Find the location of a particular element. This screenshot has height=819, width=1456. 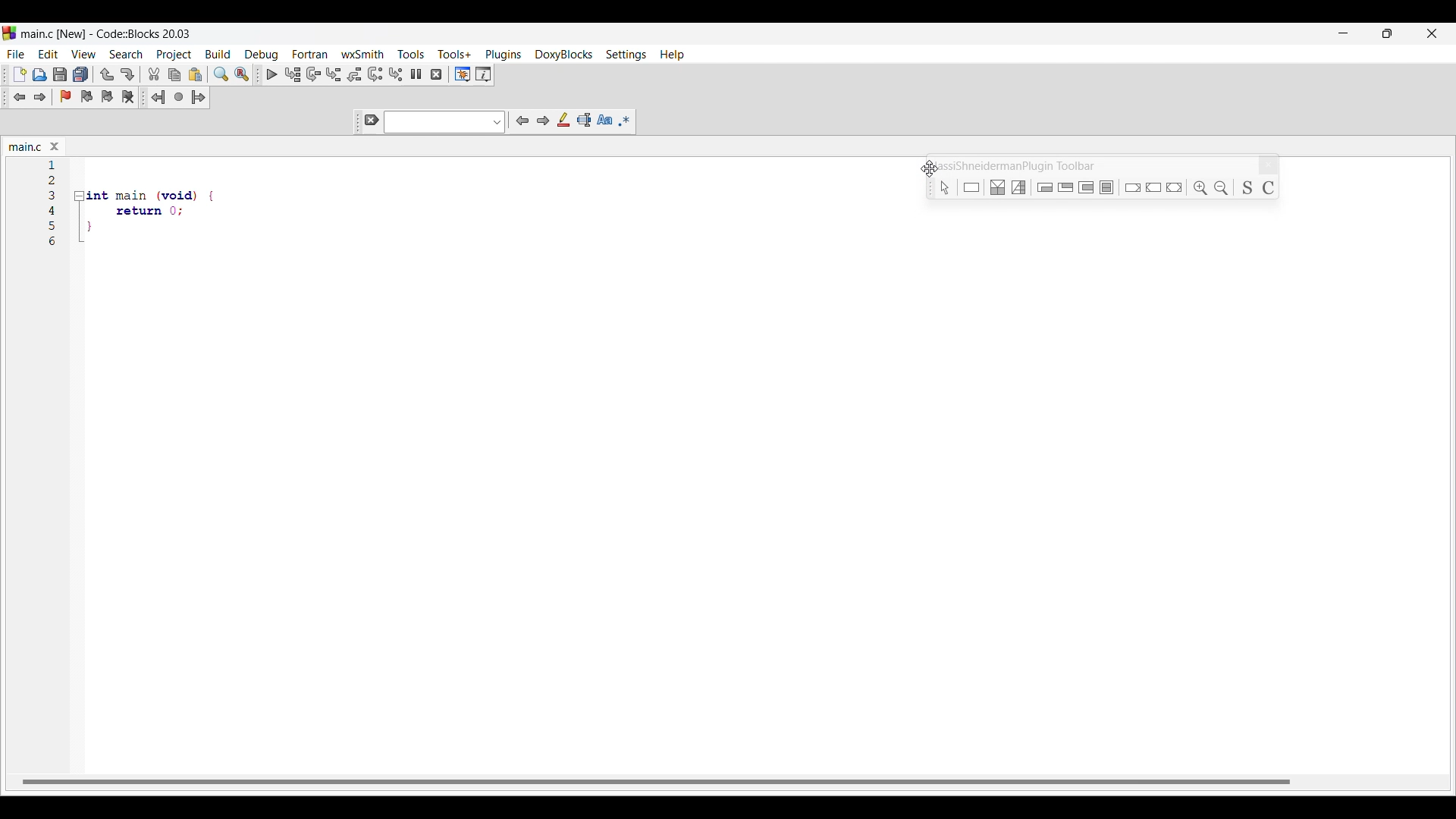

 is located at coordinates (1131, 186).